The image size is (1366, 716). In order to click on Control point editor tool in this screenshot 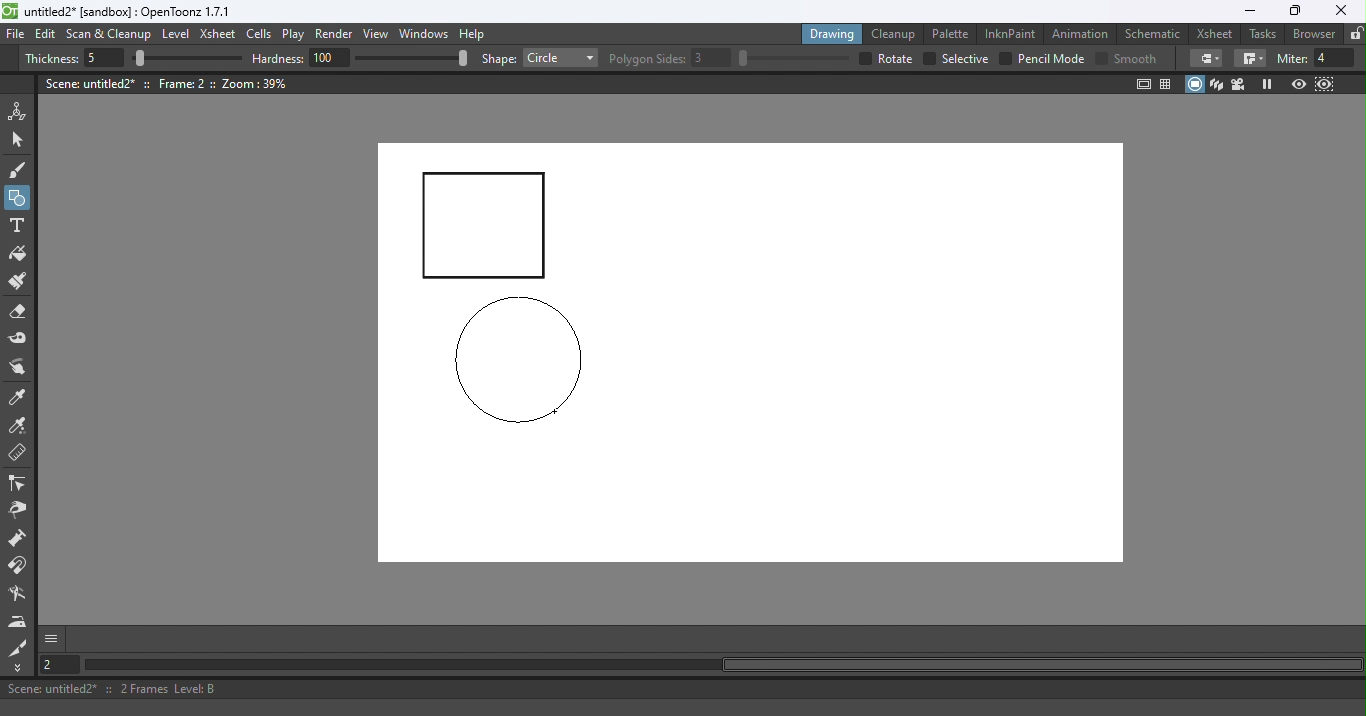, I will do `click(18, 485)`.